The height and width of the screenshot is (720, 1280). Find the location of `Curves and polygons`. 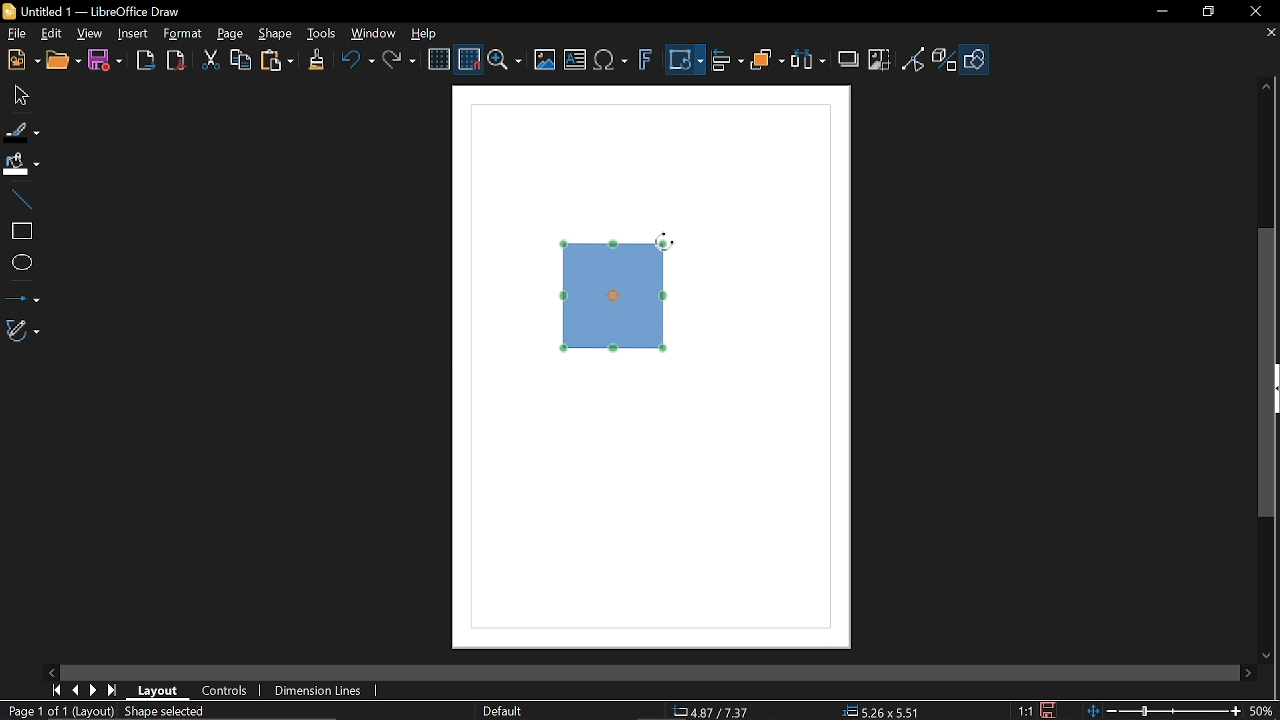

Curves and polygons is located at coordinates (21, 331).